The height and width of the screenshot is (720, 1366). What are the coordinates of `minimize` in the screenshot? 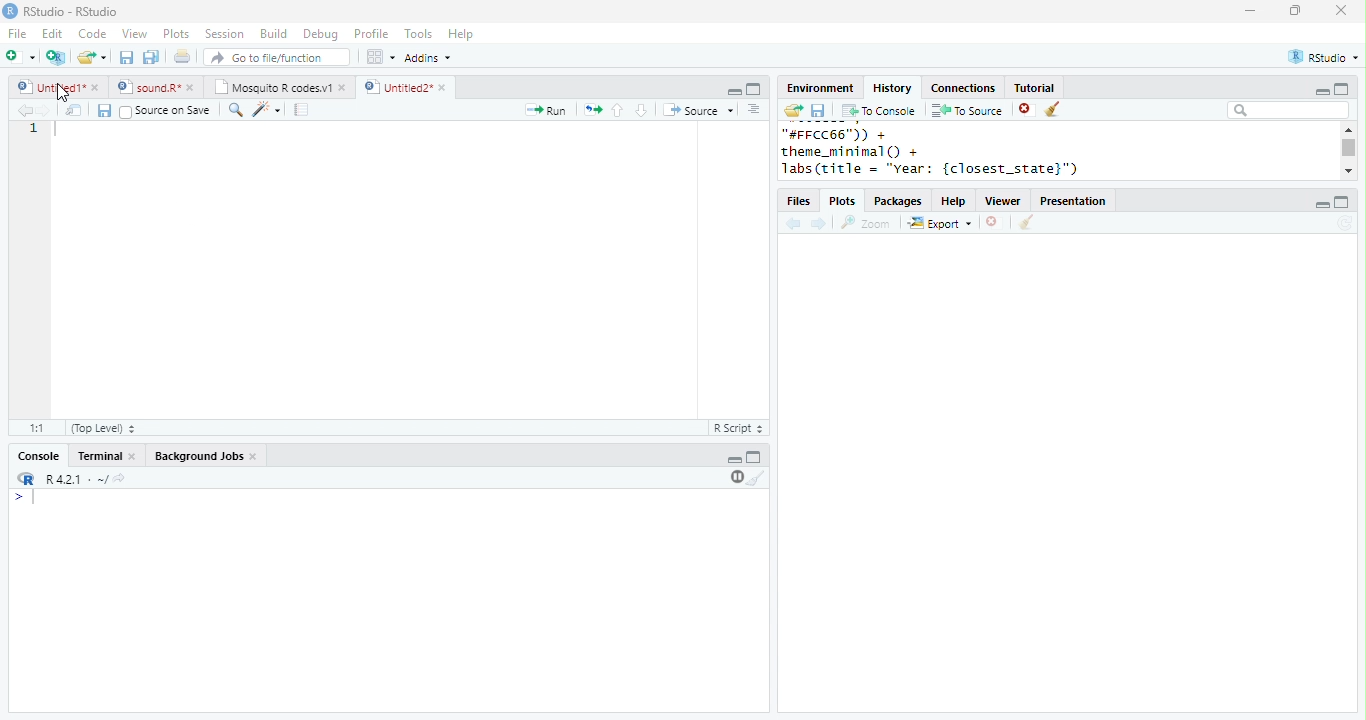 It's located at (734, 460).